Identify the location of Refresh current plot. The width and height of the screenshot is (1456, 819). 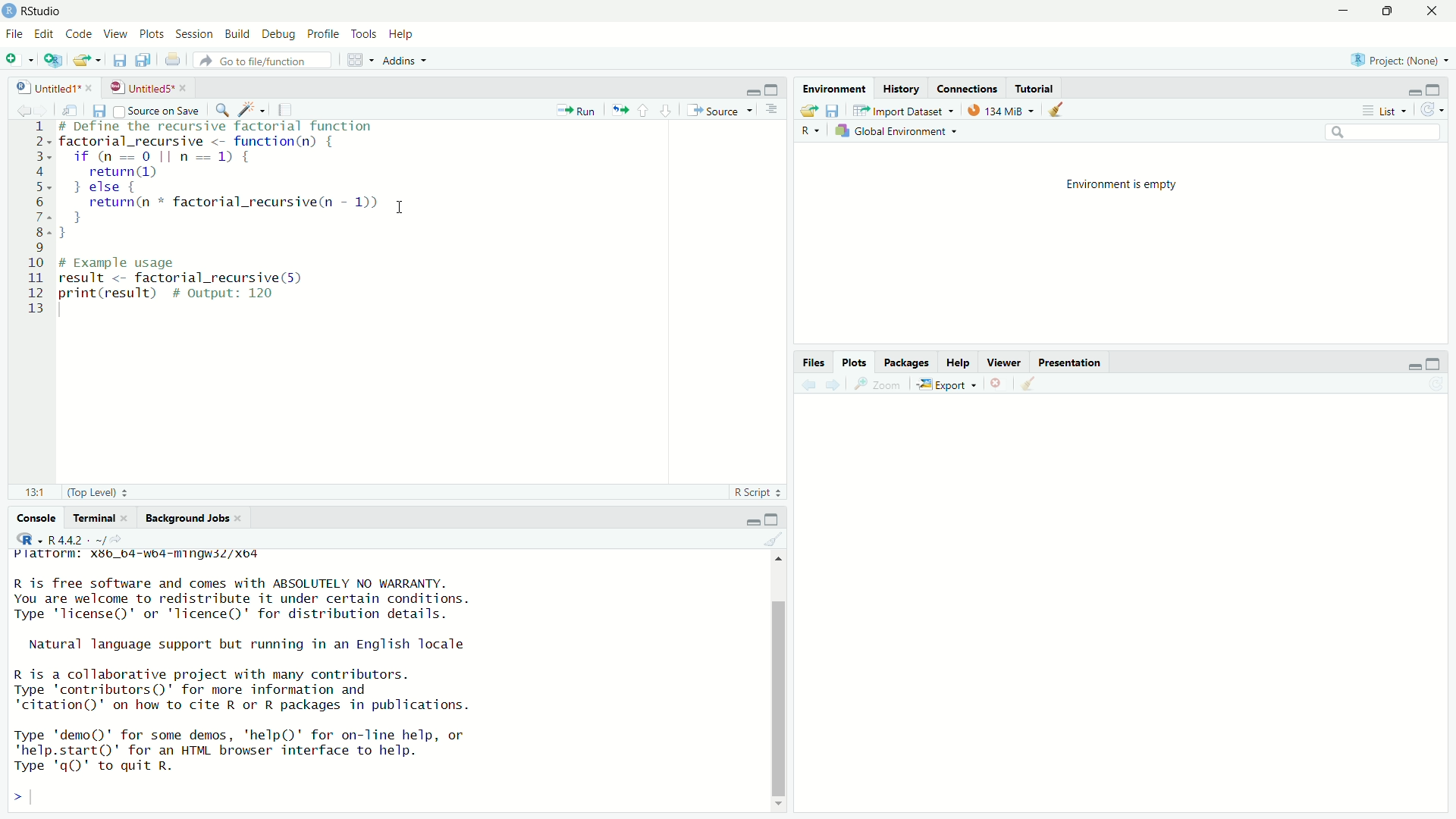
(1435, 384).